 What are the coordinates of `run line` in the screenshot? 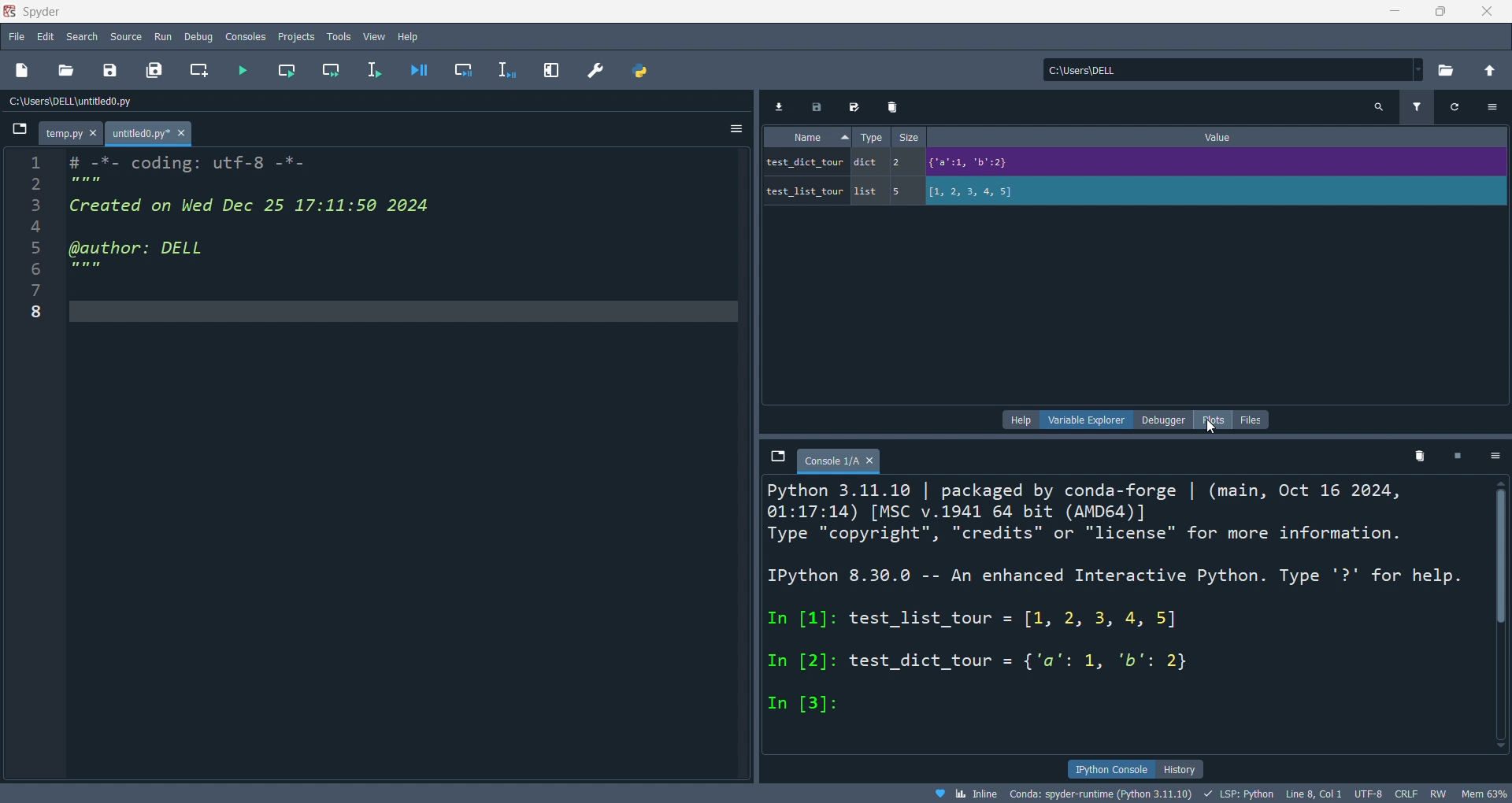 It's located at (380, 72).